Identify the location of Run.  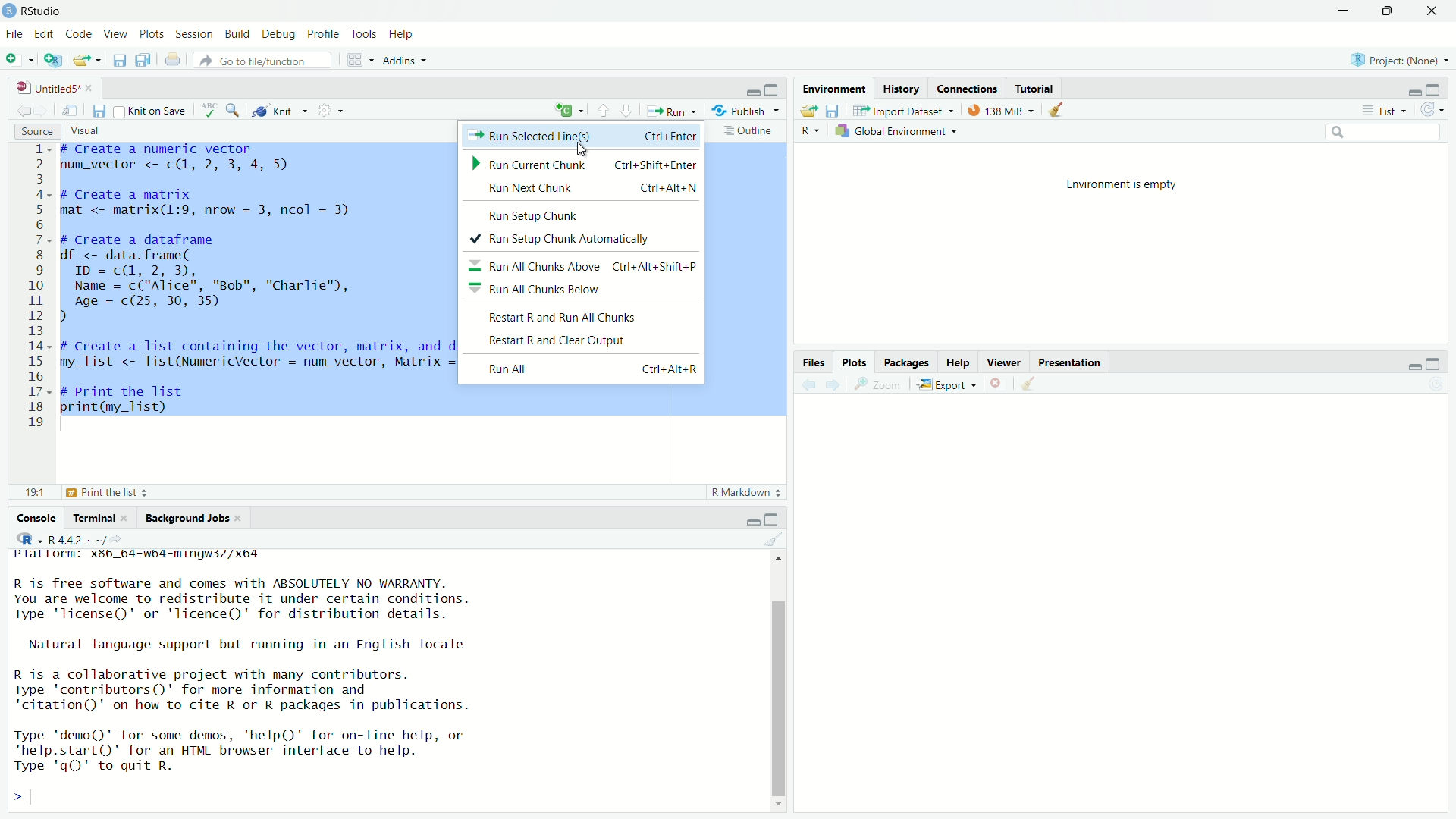
(673, 111).